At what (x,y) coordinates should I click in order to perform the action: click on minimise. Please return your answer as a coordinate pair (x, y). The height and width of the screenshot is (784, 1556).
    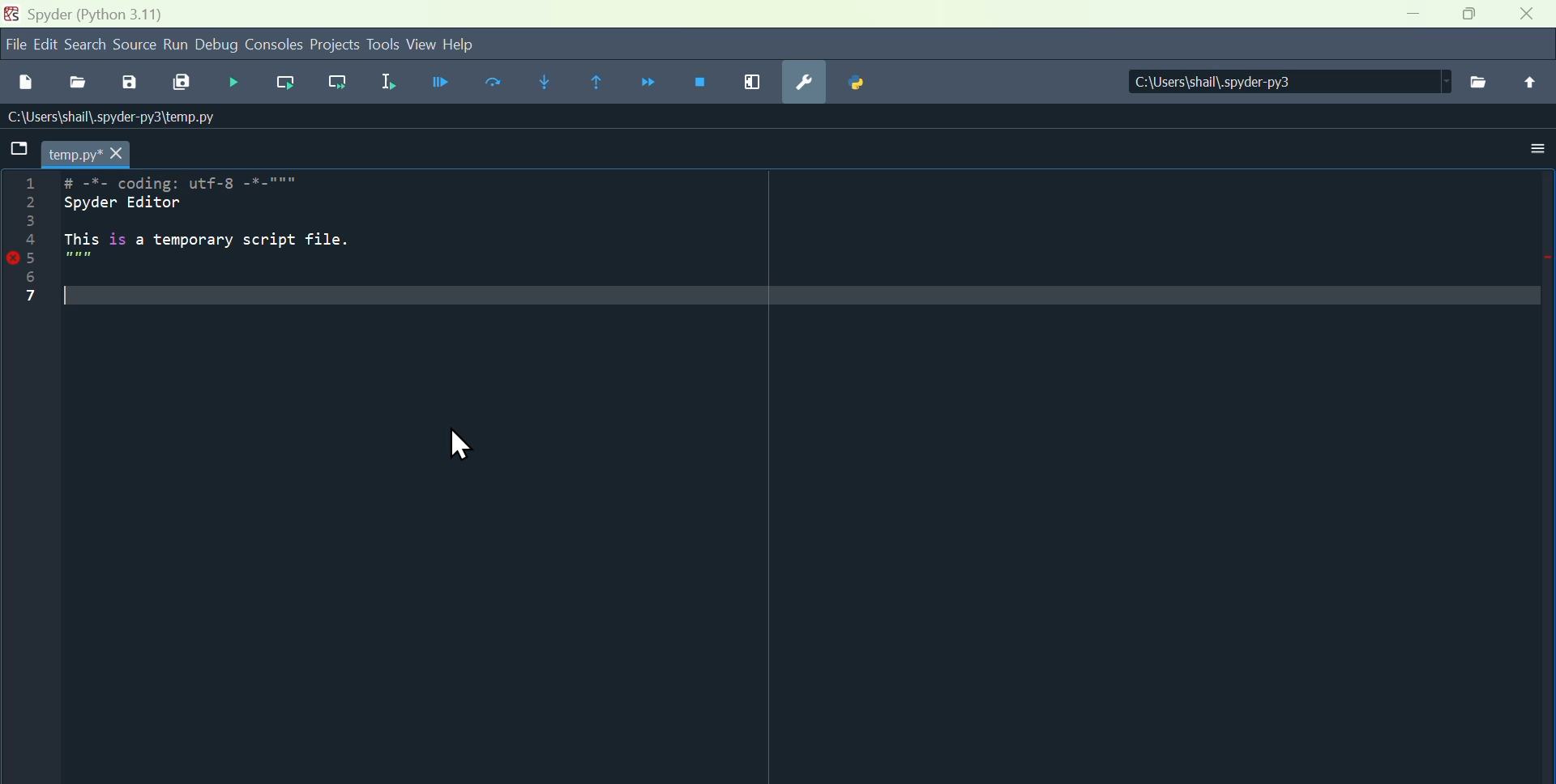
    Looking at the image, I should click on (1413, 13).